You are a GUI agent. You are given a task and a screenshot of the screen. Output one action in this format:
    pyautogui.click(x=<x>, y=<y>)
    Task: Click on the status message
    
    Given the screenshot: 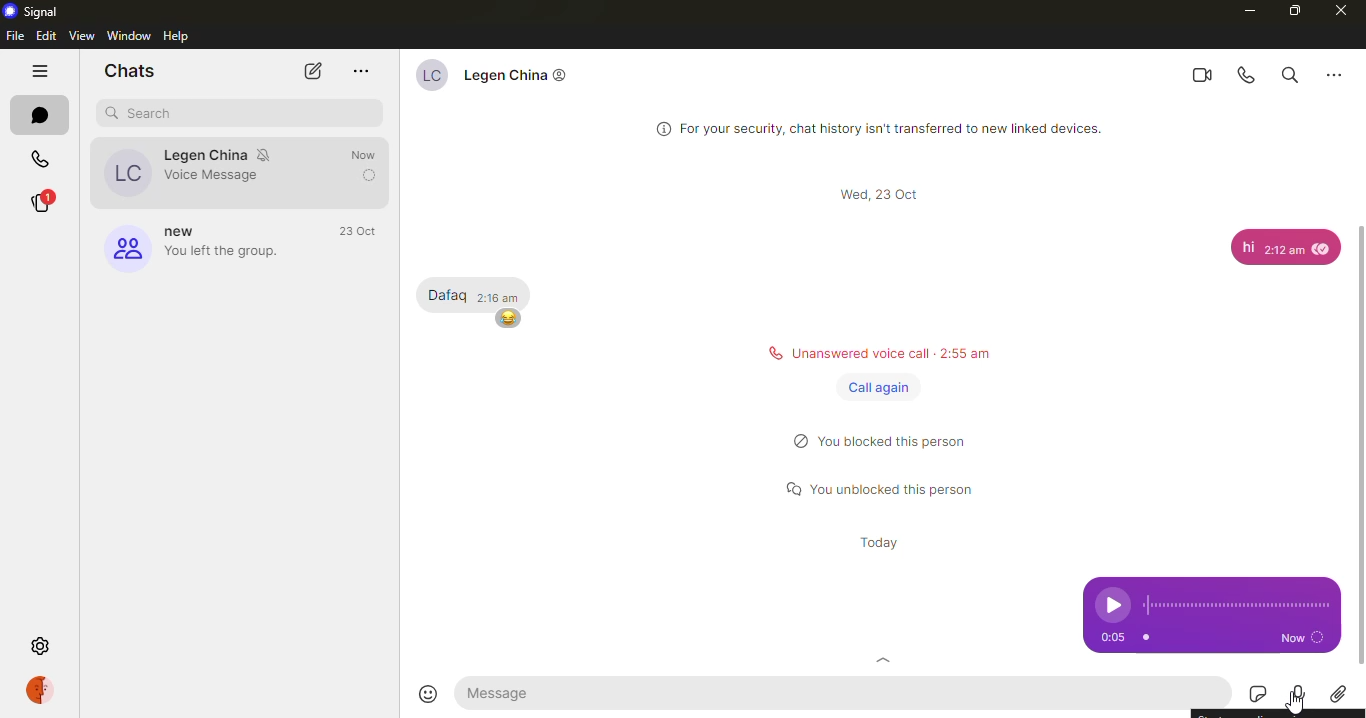 What is the action you would take?
    pyautogui.click(x=882, y=444)
    